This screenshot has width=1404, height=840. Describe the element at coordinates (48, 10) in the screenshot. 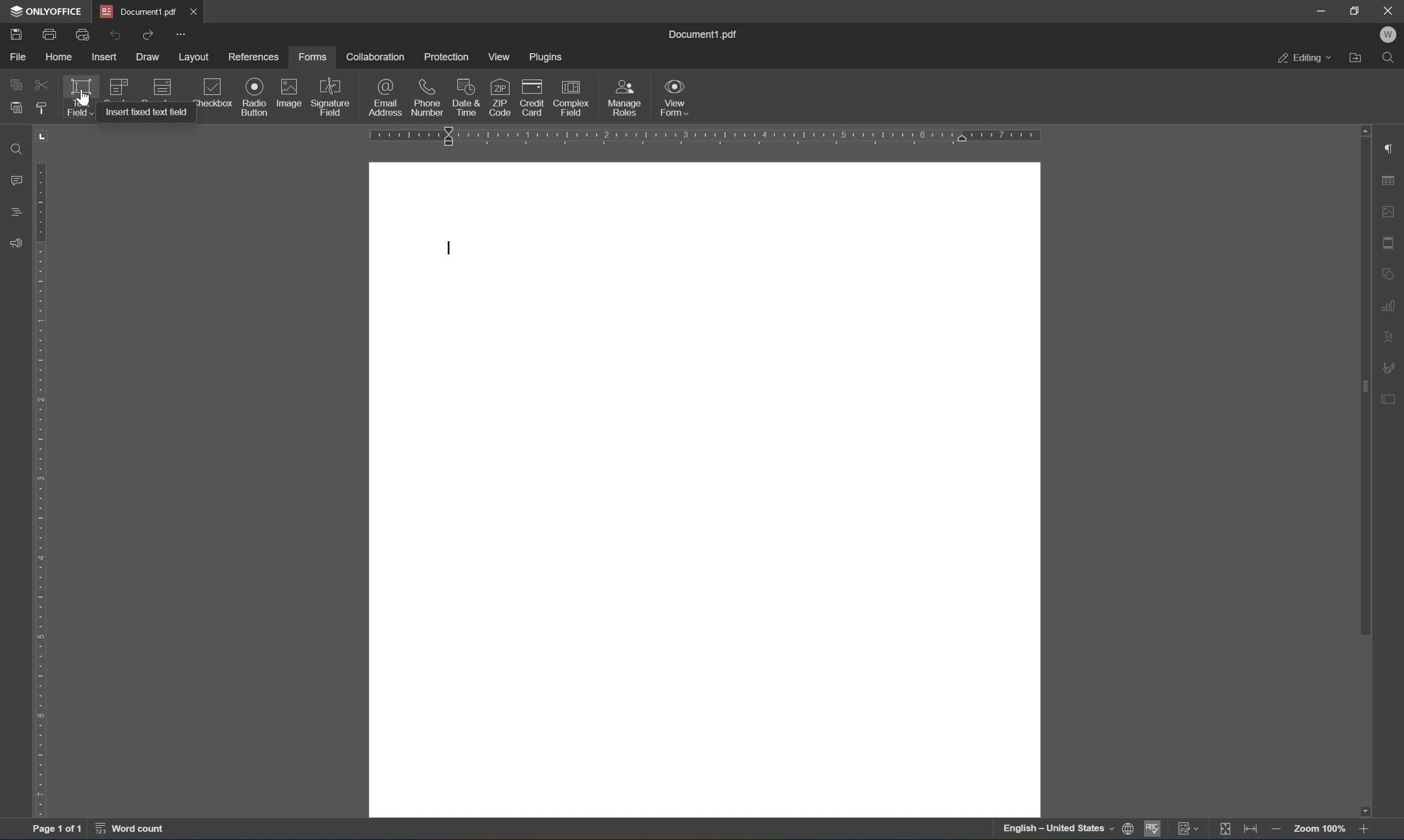

I see `onlyoffice` at that location.